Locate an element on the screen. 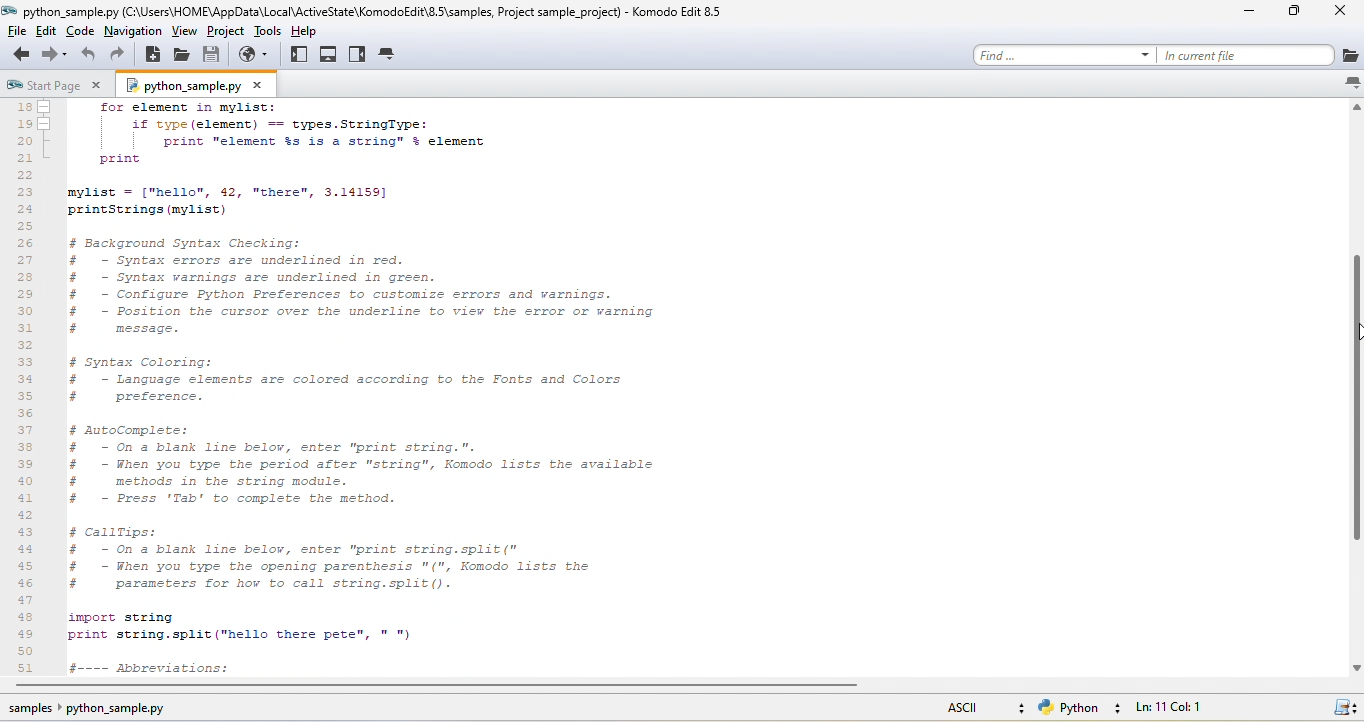  app icon is located at coordinates (10, 11).